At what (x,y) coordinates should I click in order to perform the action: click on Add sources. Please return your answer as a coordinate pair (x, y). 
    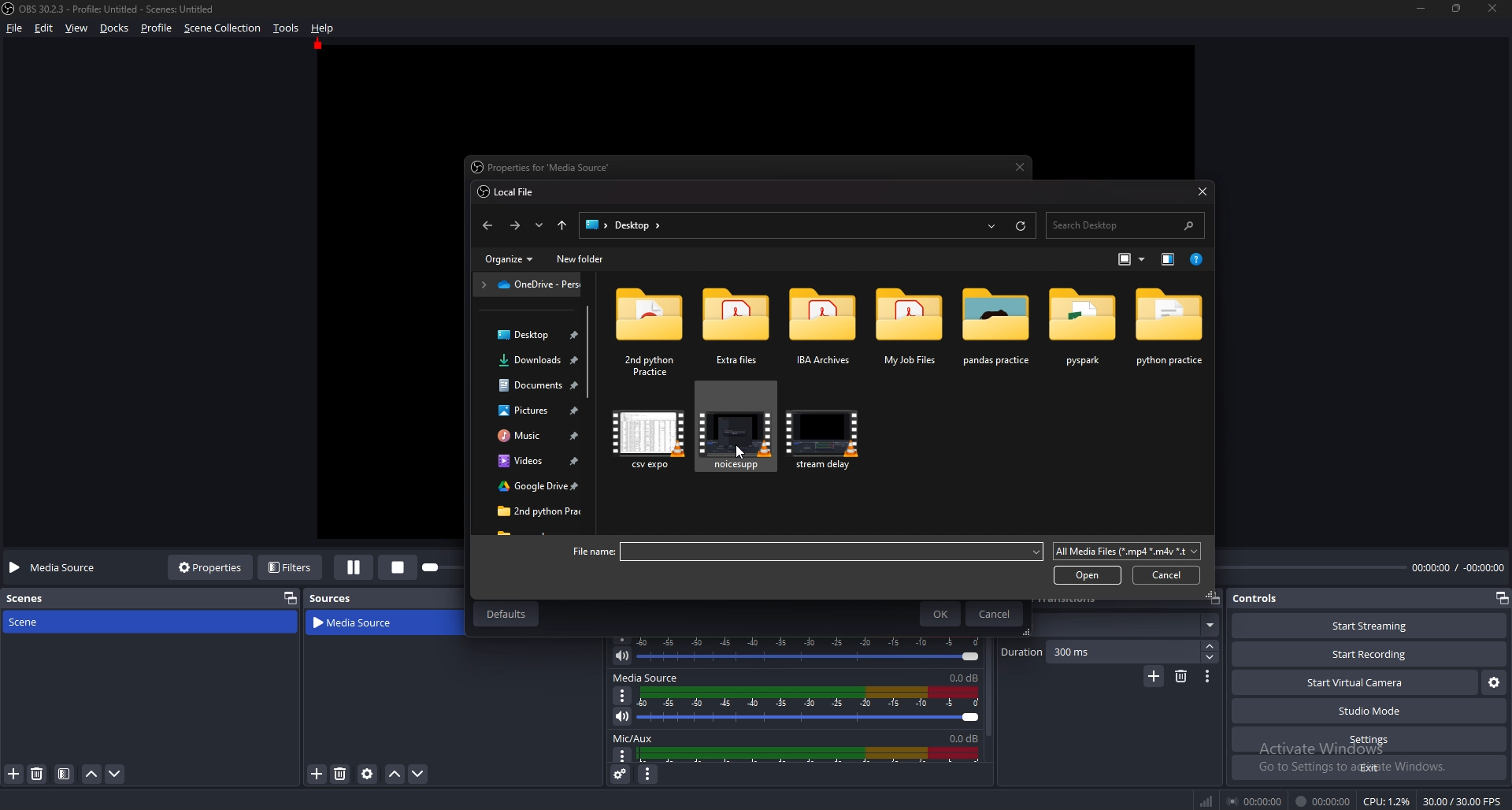
    Looking at the image, I should click on (315, 773).